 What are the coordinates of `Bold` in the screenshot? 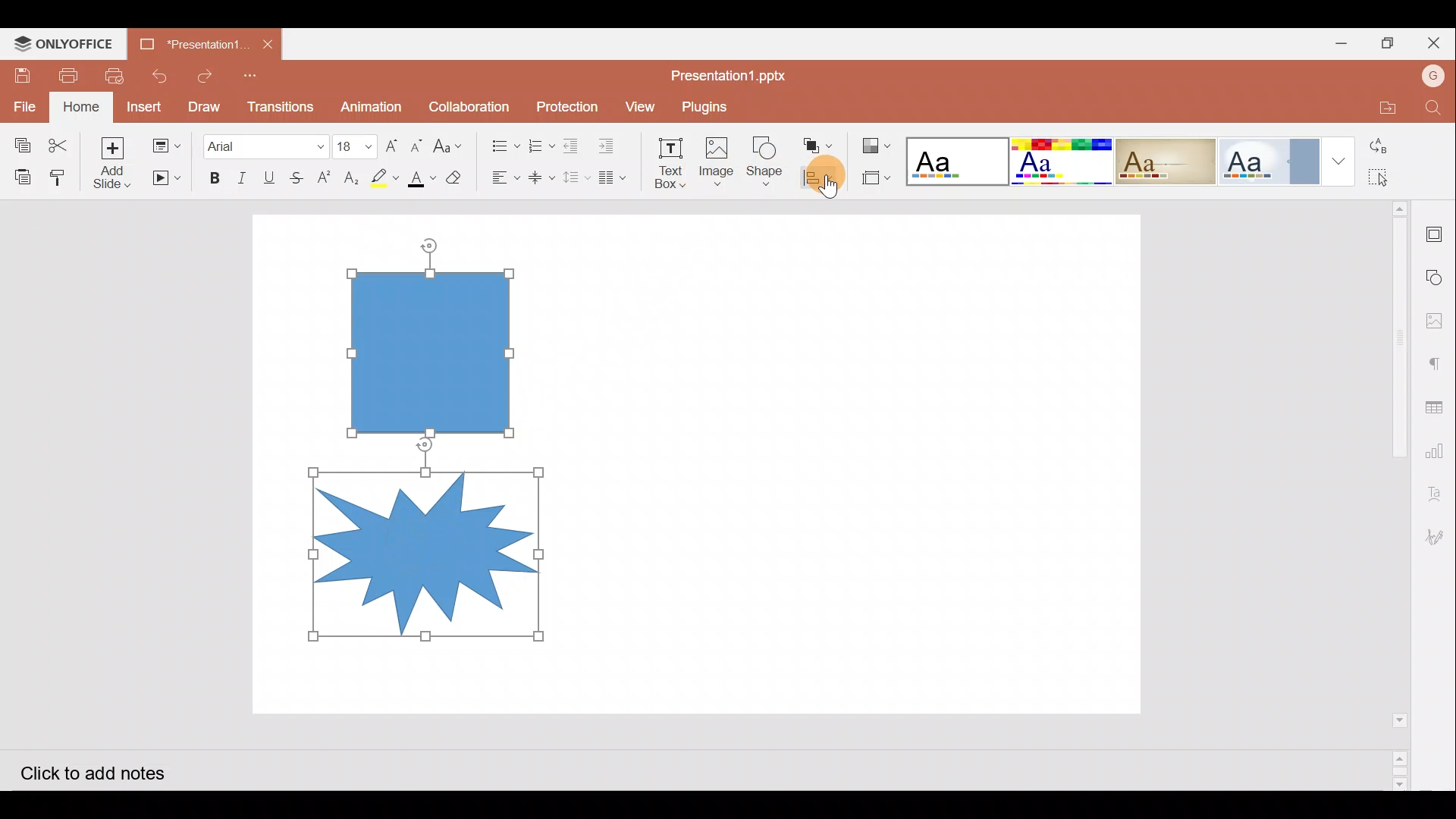 It's located at (213, 175).